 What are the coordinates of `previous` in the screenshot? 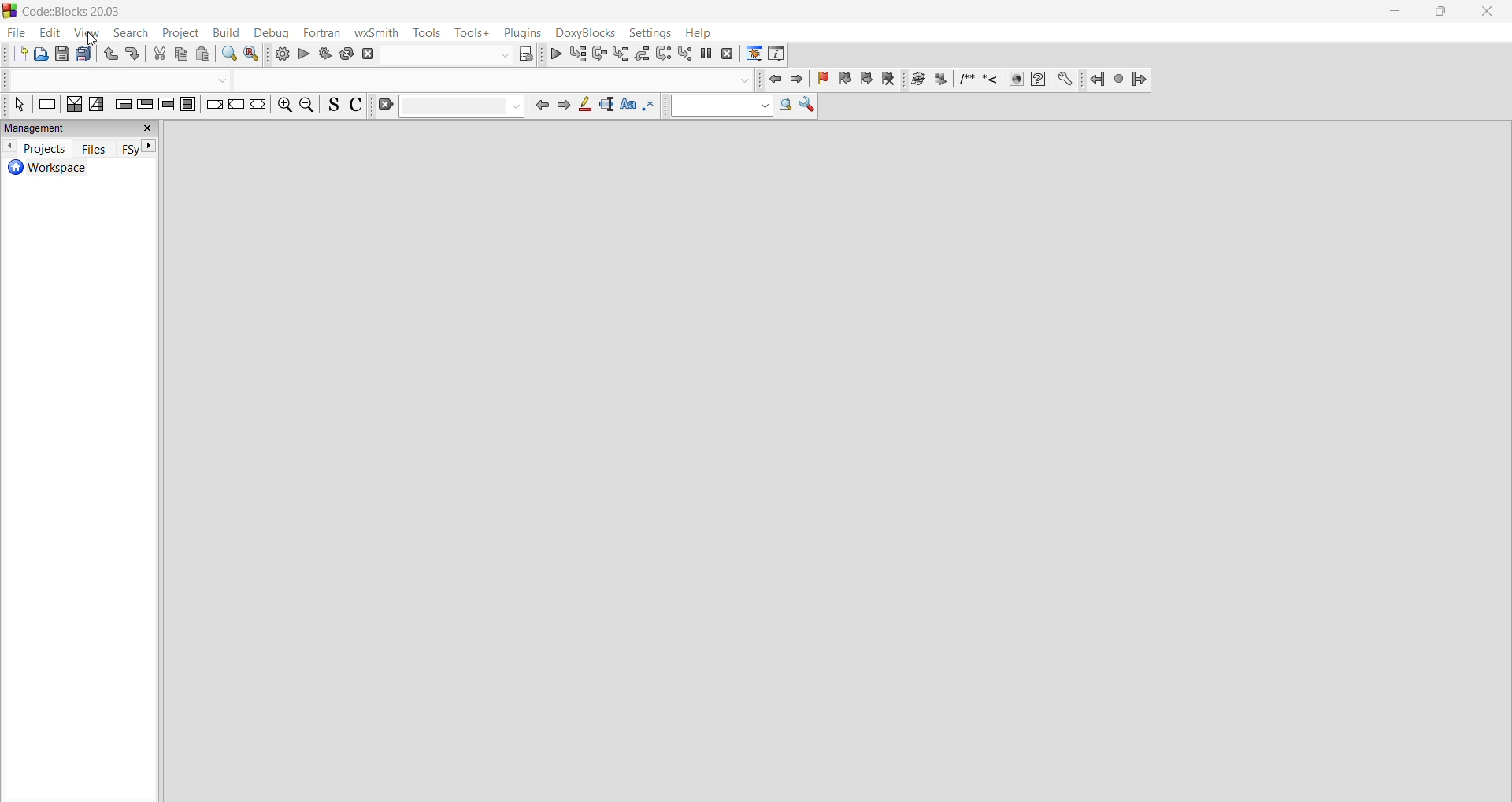 It's located at (9, 147).